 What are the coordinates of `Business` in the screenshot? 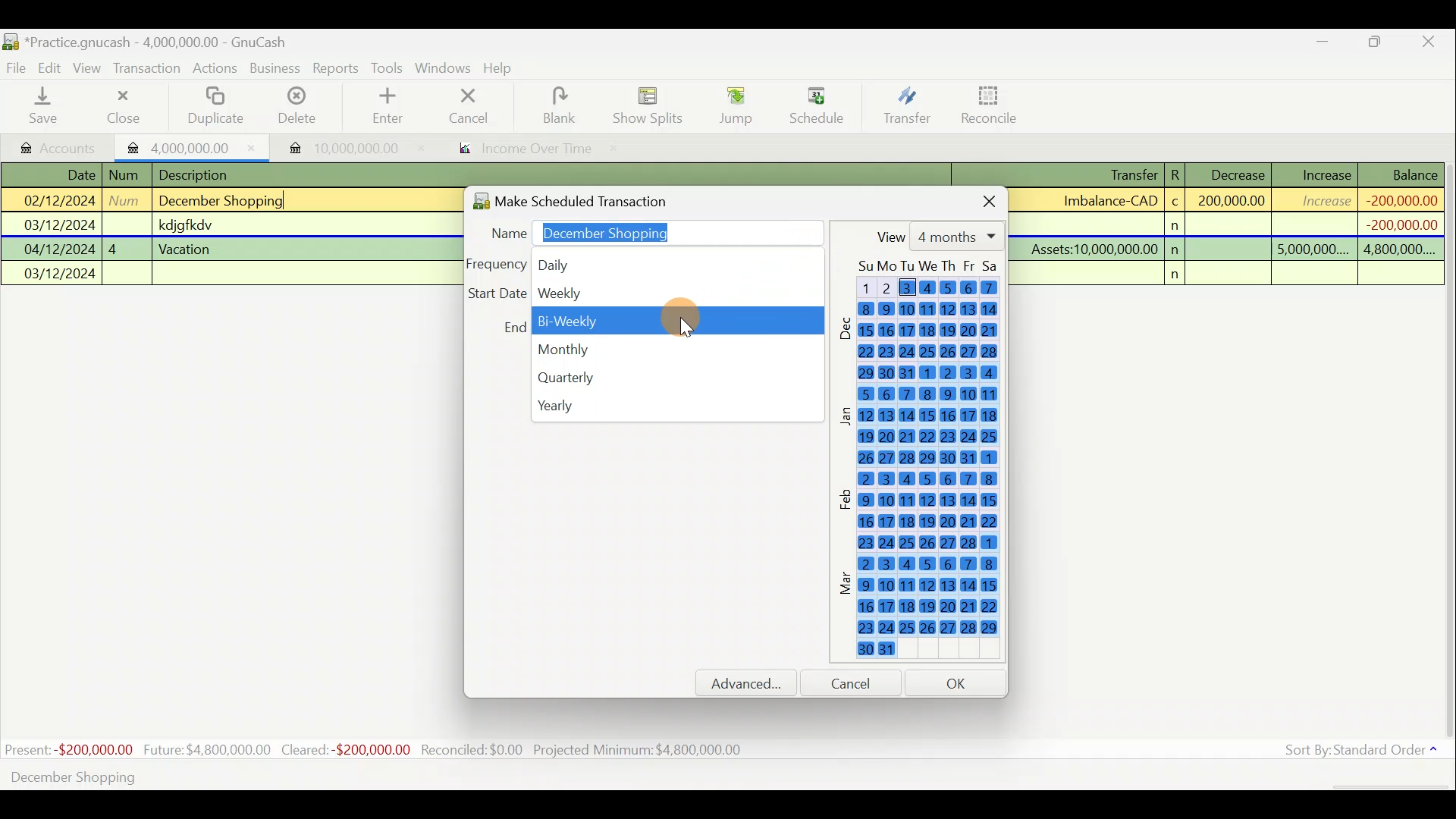 It's located at (276, 69).